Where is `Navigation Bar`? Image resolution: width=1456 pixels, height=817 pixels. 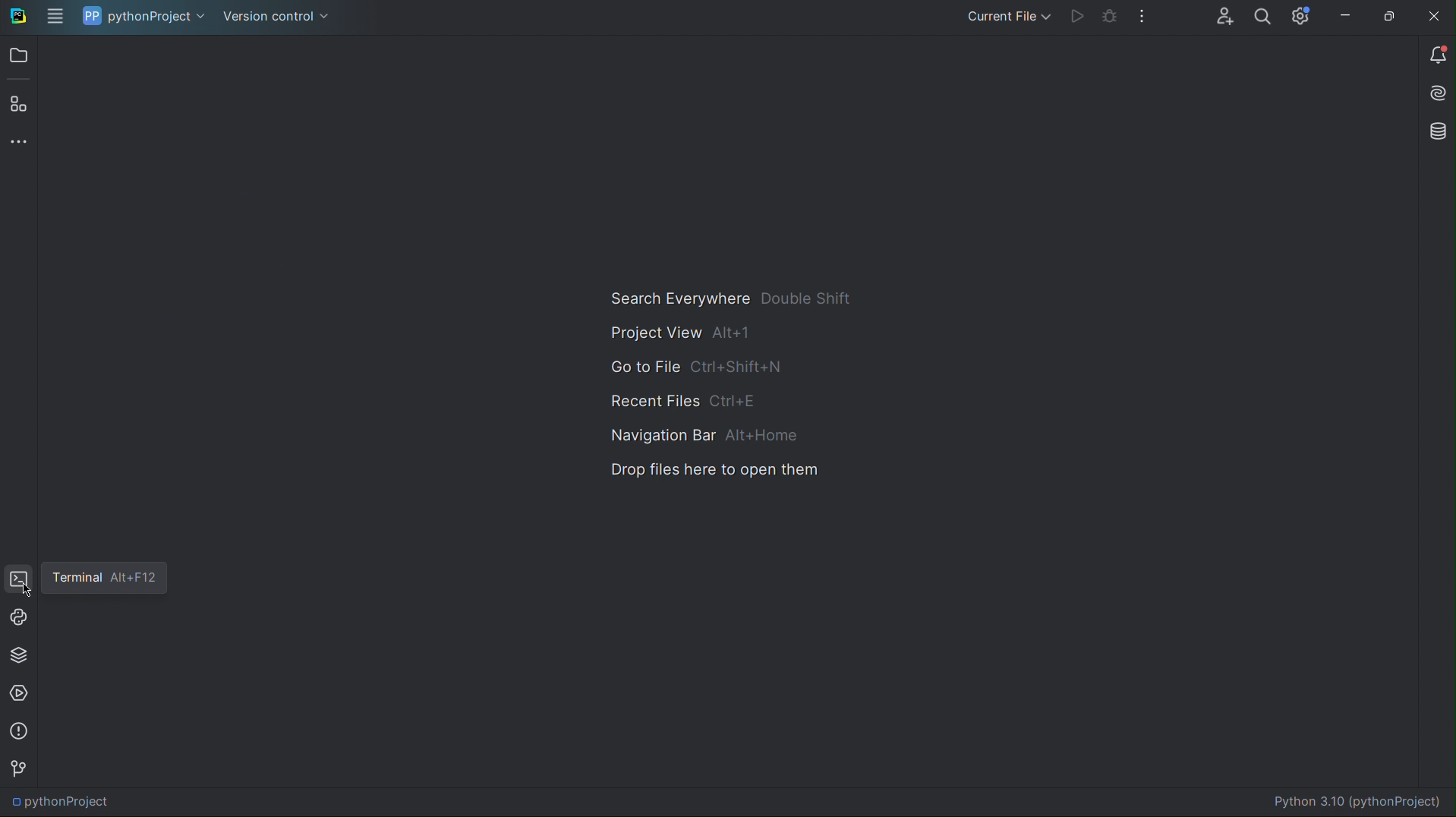
Navigation Bar is located at coordinates (702, 436).